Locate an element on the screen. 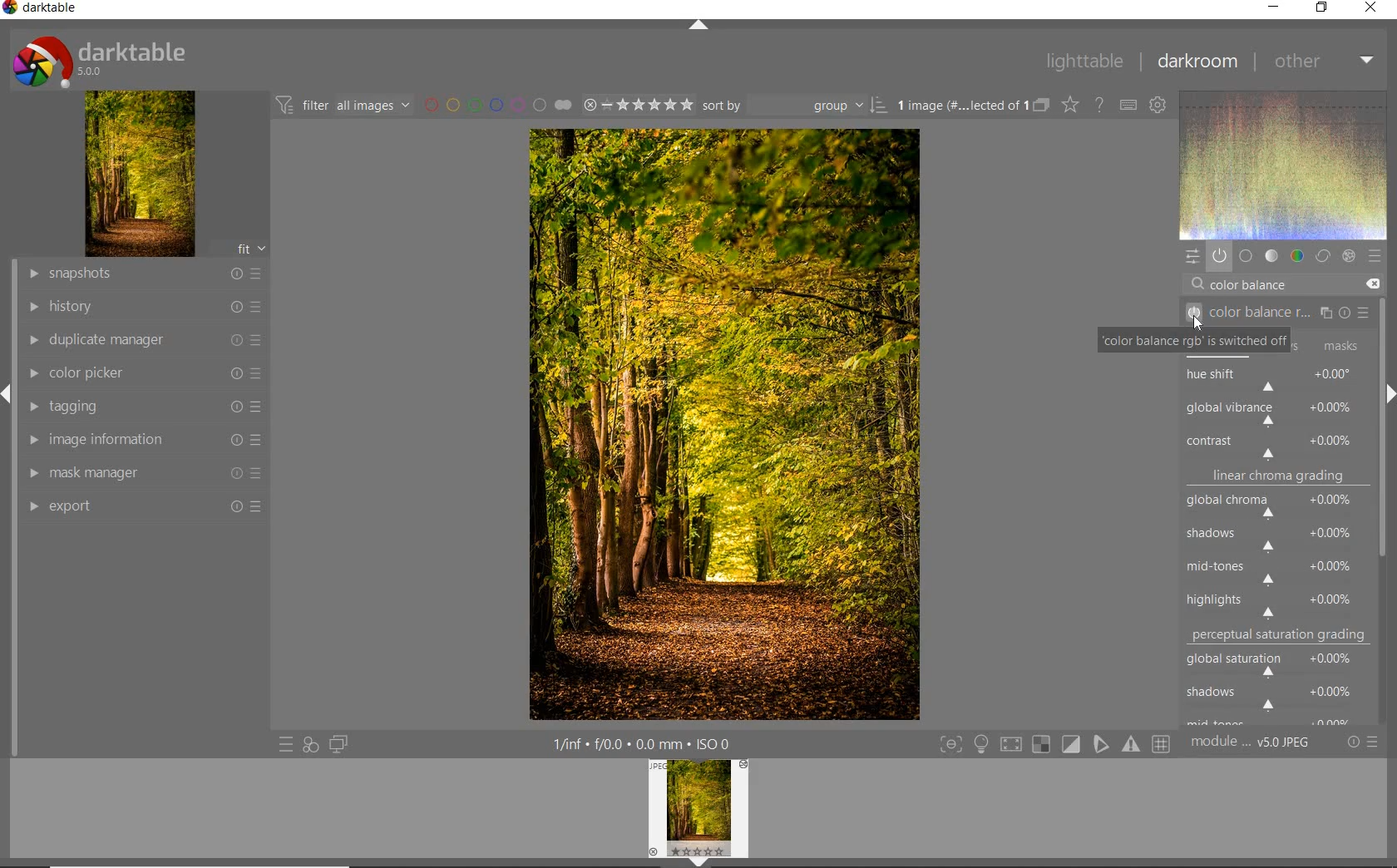  scrollbar is located at coordinates (1384, 330).